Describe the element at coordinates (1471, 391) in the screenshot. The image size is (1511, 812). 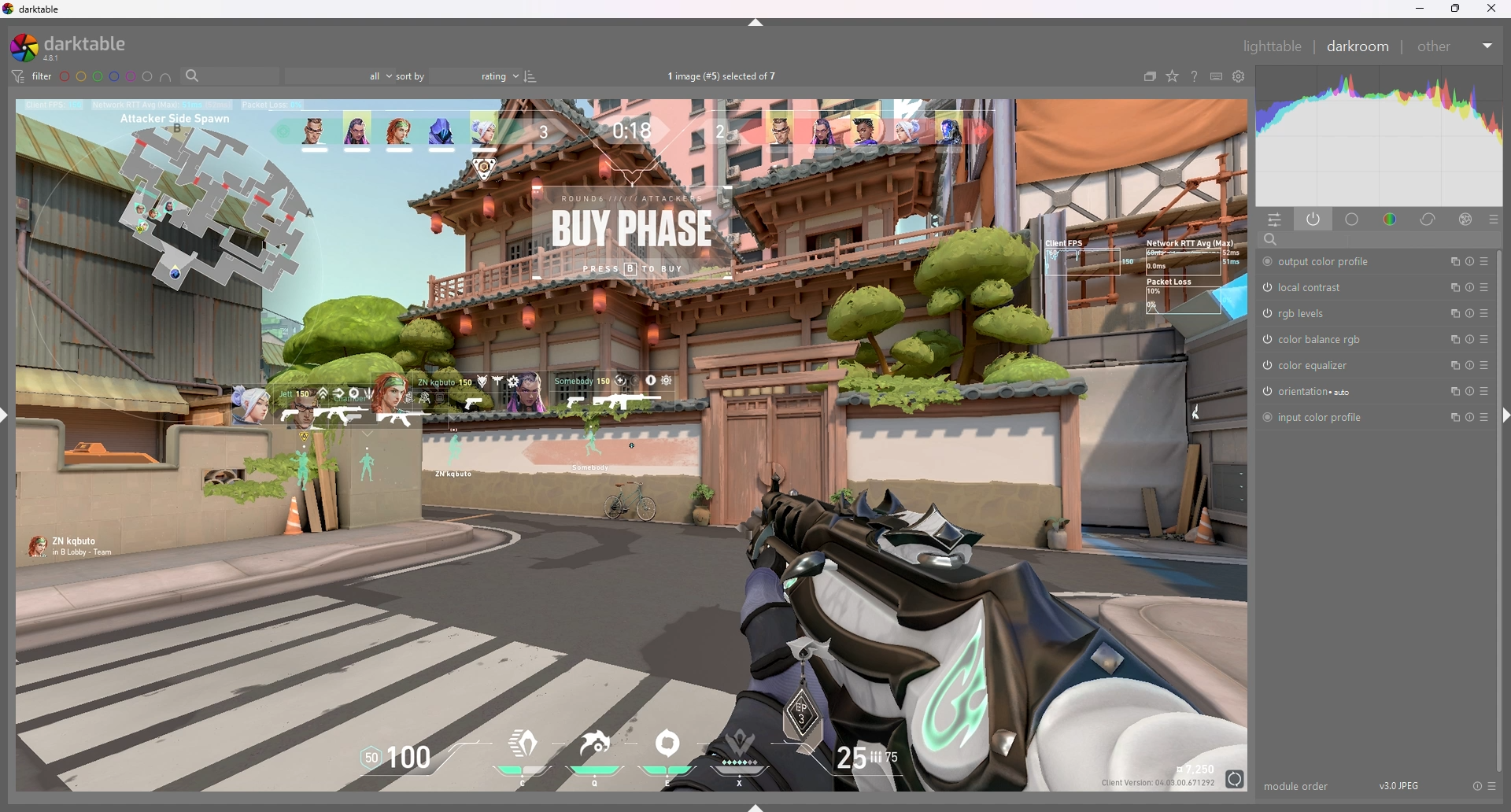
I see `reset` at that location.